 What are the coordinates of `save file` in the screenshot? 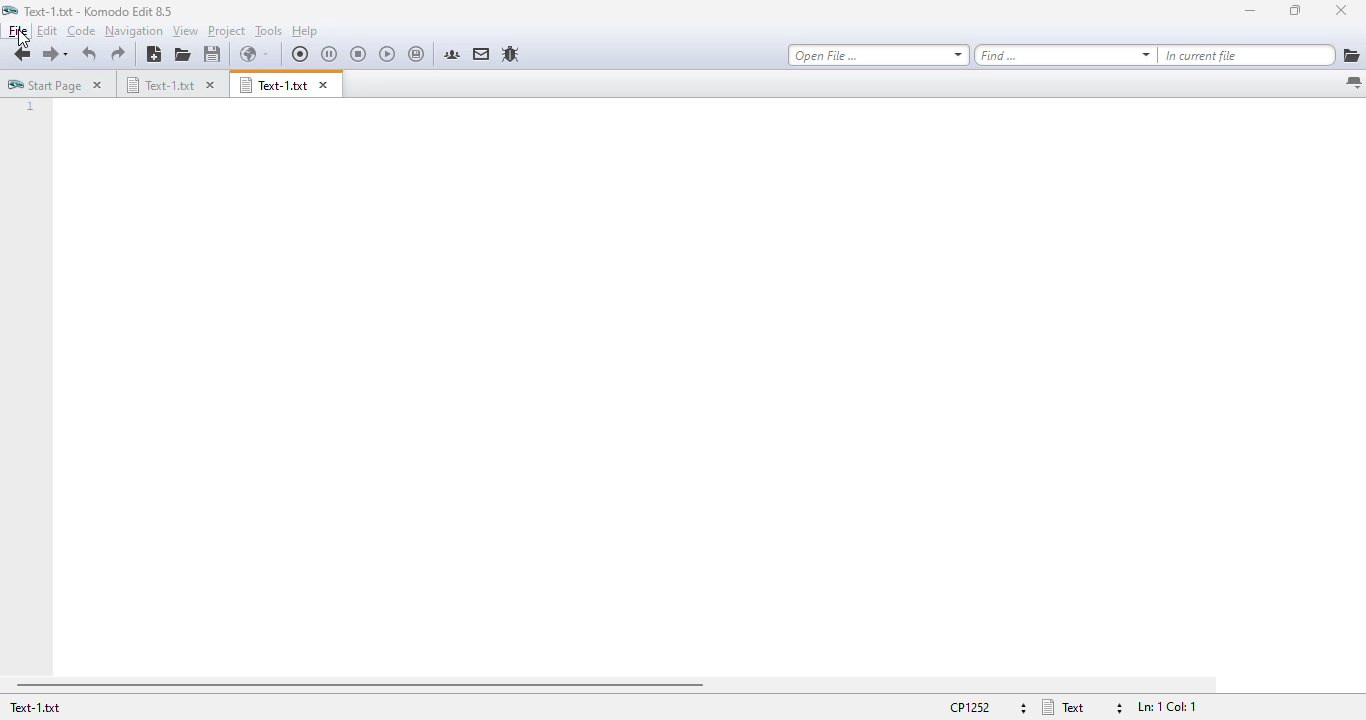 It's located at (213, 54).